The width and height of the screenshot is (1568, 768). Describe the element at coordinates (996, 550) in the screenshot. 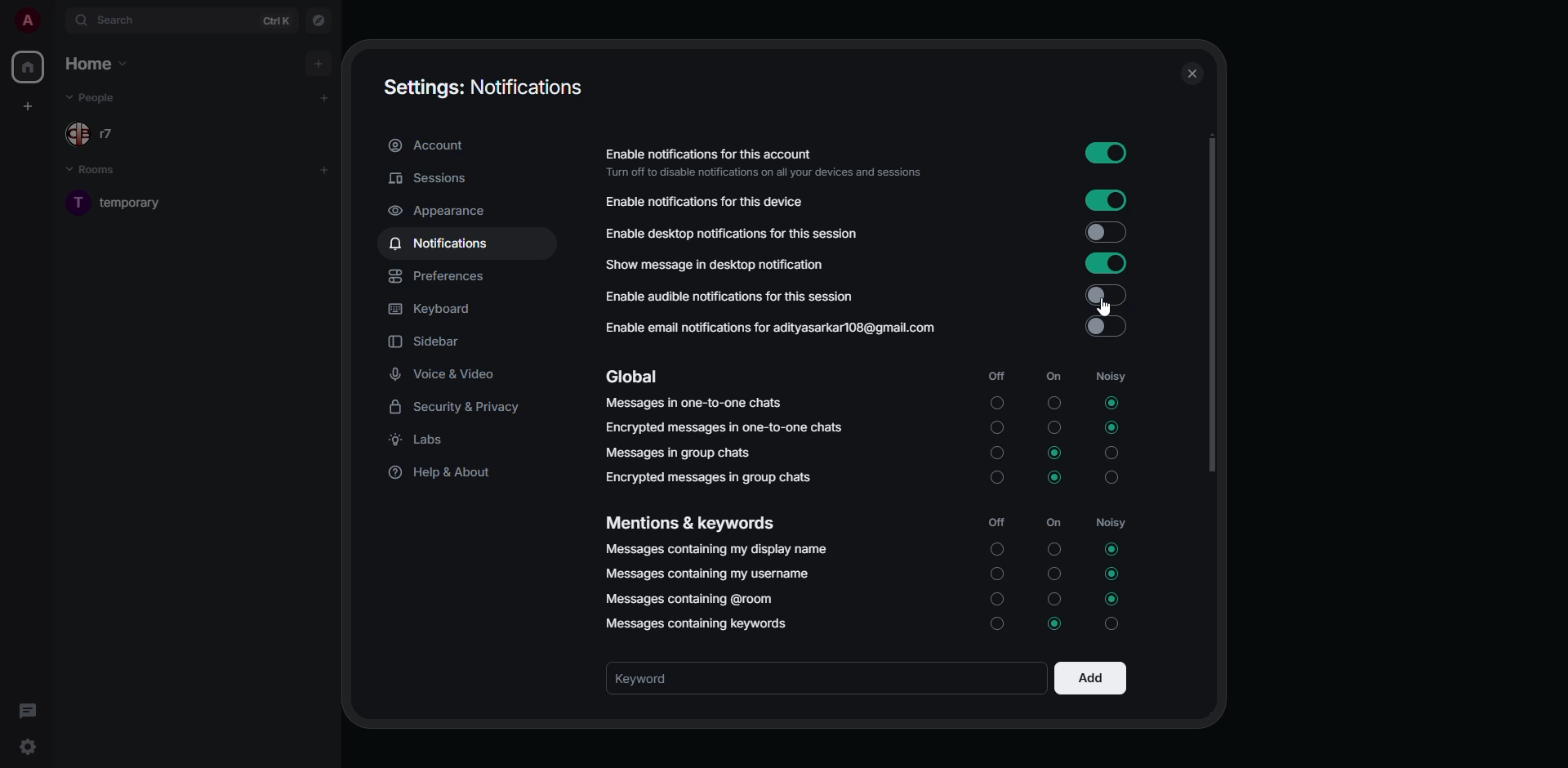

I see `Off Unselected` at that location.